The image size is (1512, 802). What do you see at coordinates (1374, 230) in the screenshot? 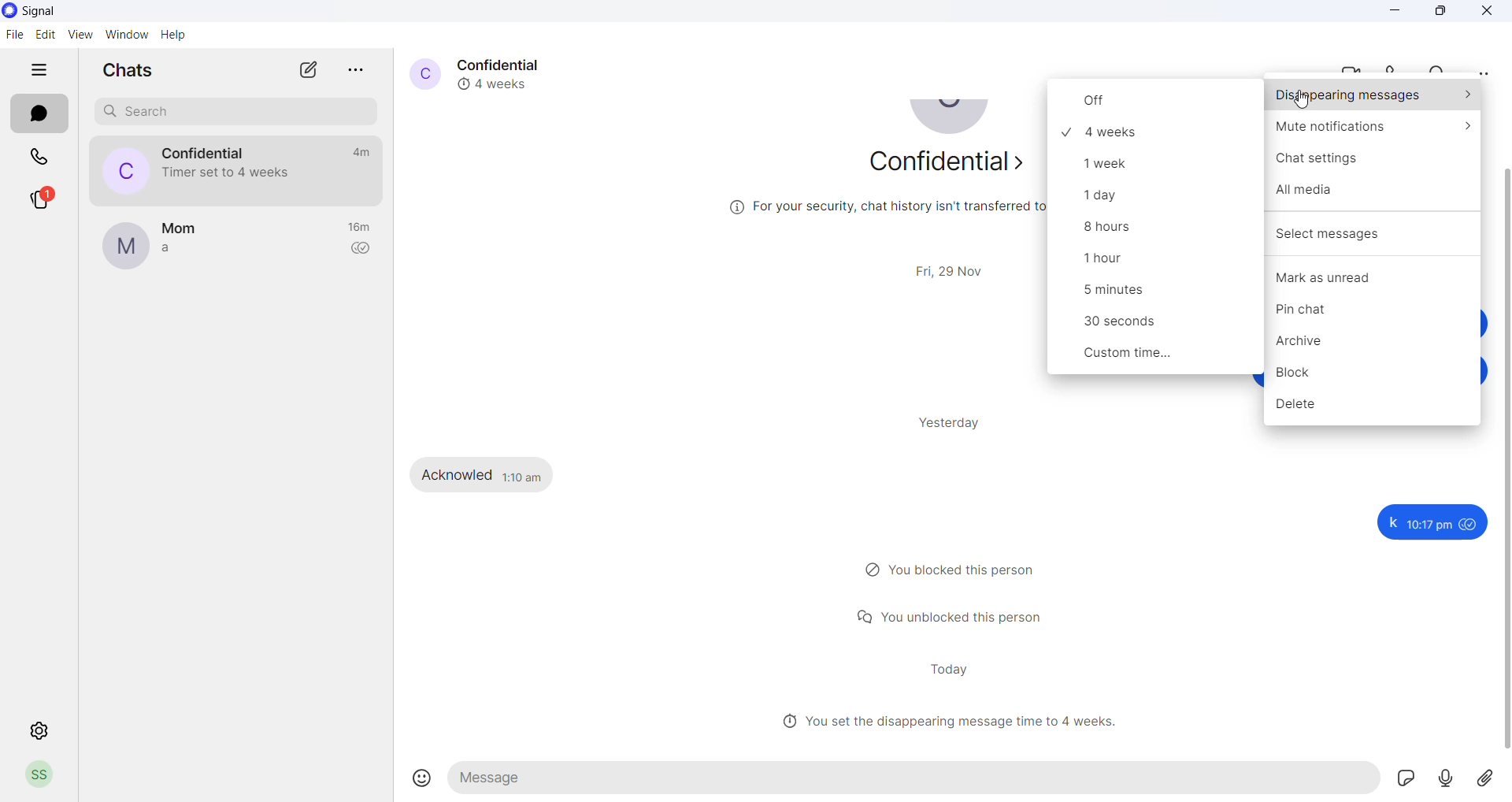
I see `select messages` at bounding box center [1374, 230].